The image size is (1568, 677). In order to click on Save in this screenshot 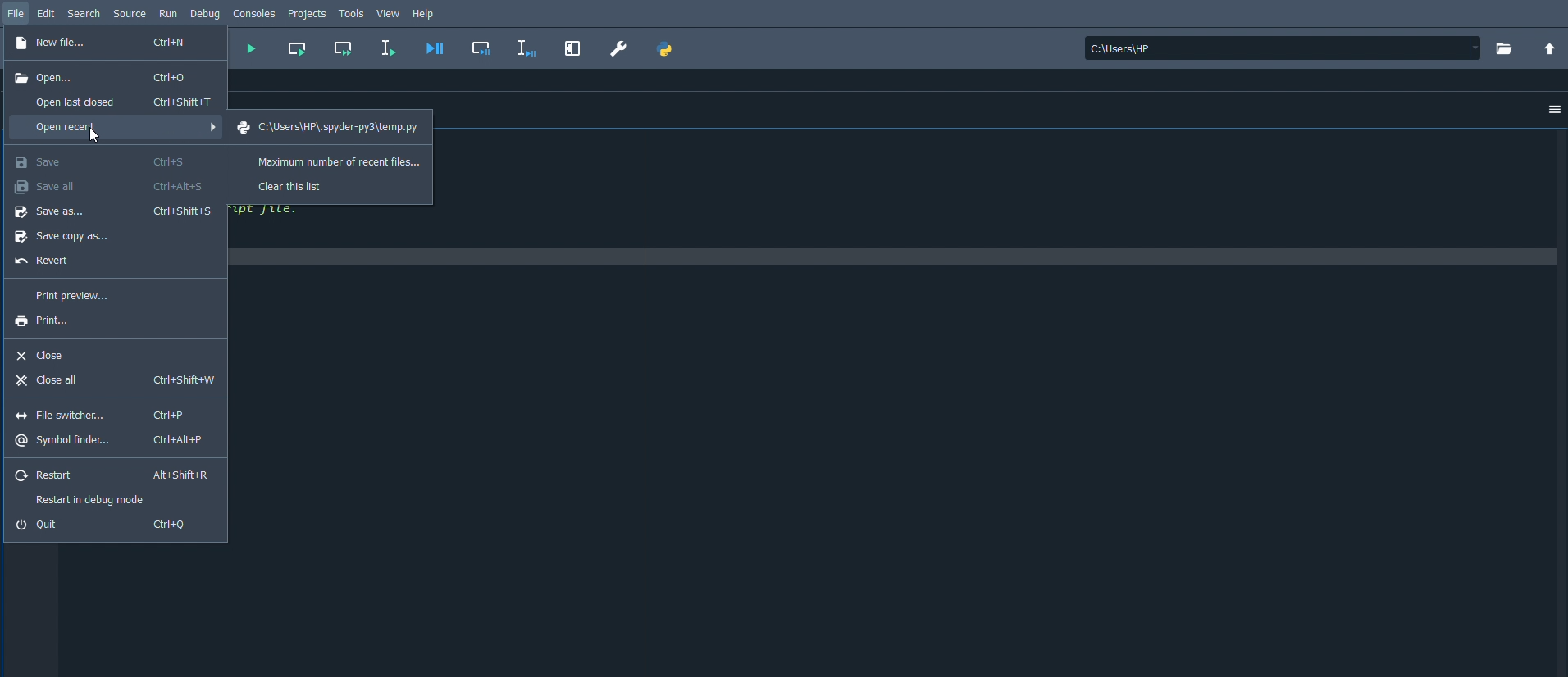, I will do `click(101, 161)`.